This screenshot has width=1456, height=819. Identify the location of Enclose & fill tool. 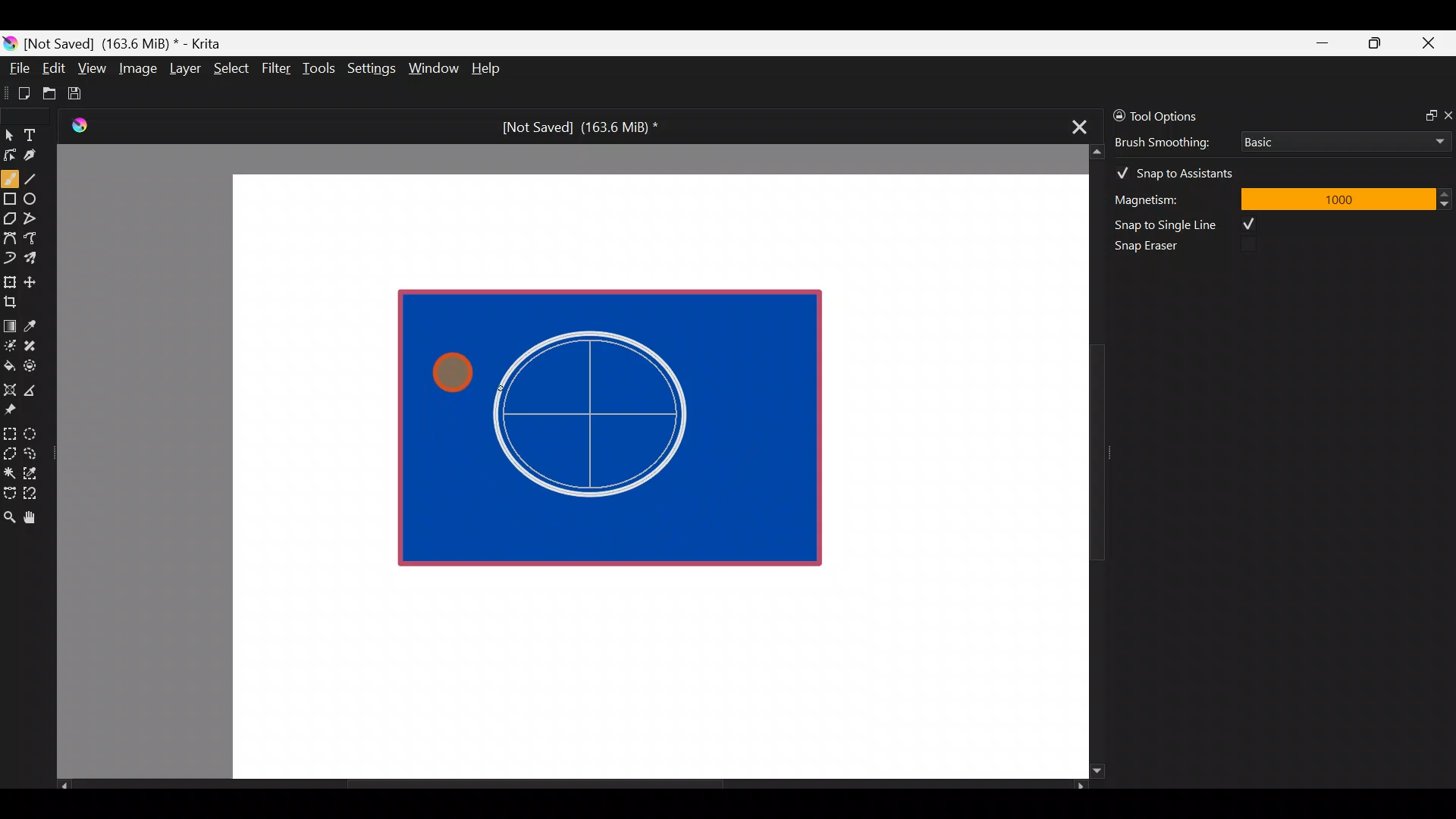
(33, 363).